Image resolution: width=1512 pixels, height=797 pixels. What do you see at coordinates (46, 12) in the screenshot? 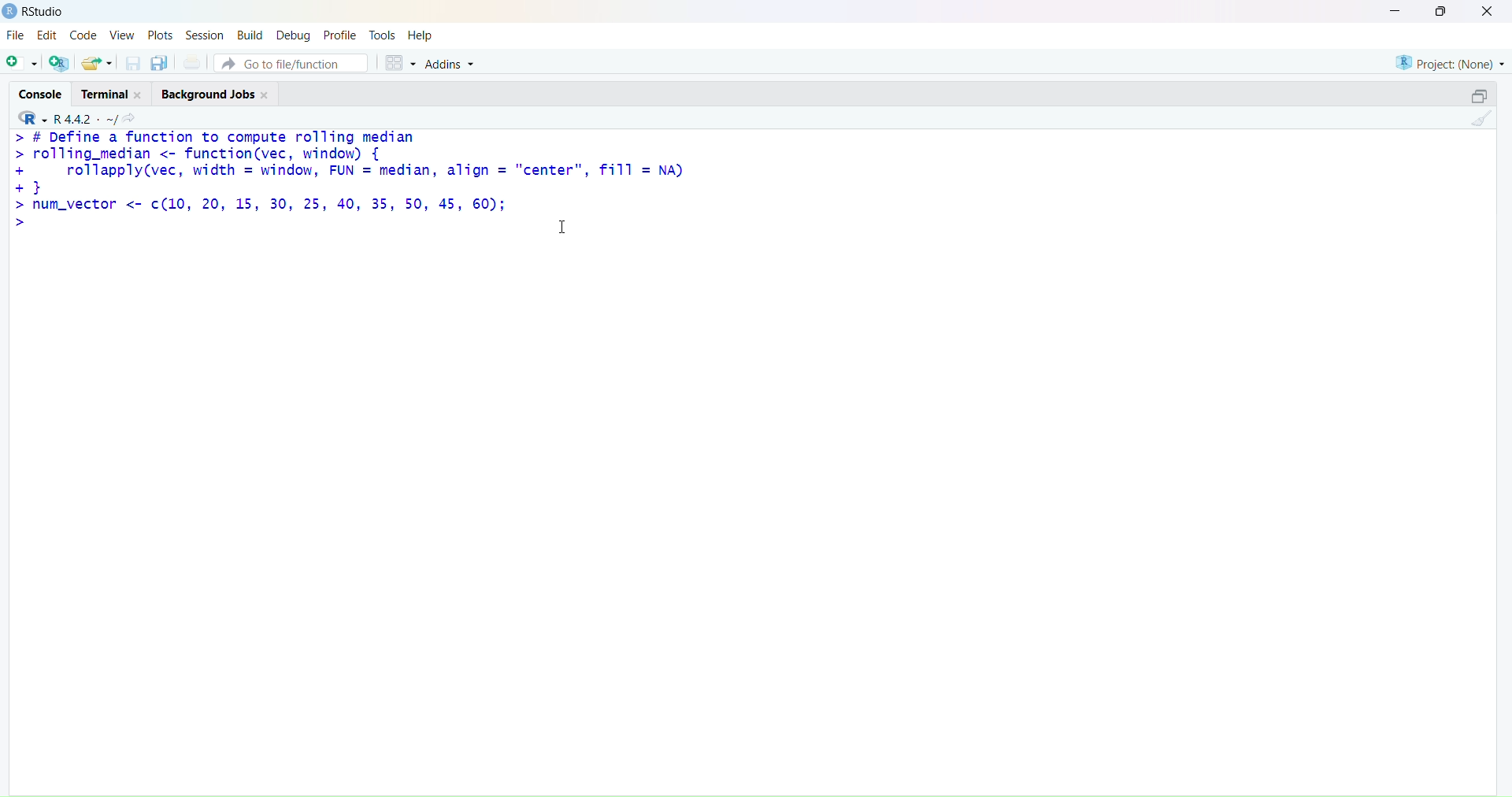
I see `RStudio` at bounding box center [46, 12].